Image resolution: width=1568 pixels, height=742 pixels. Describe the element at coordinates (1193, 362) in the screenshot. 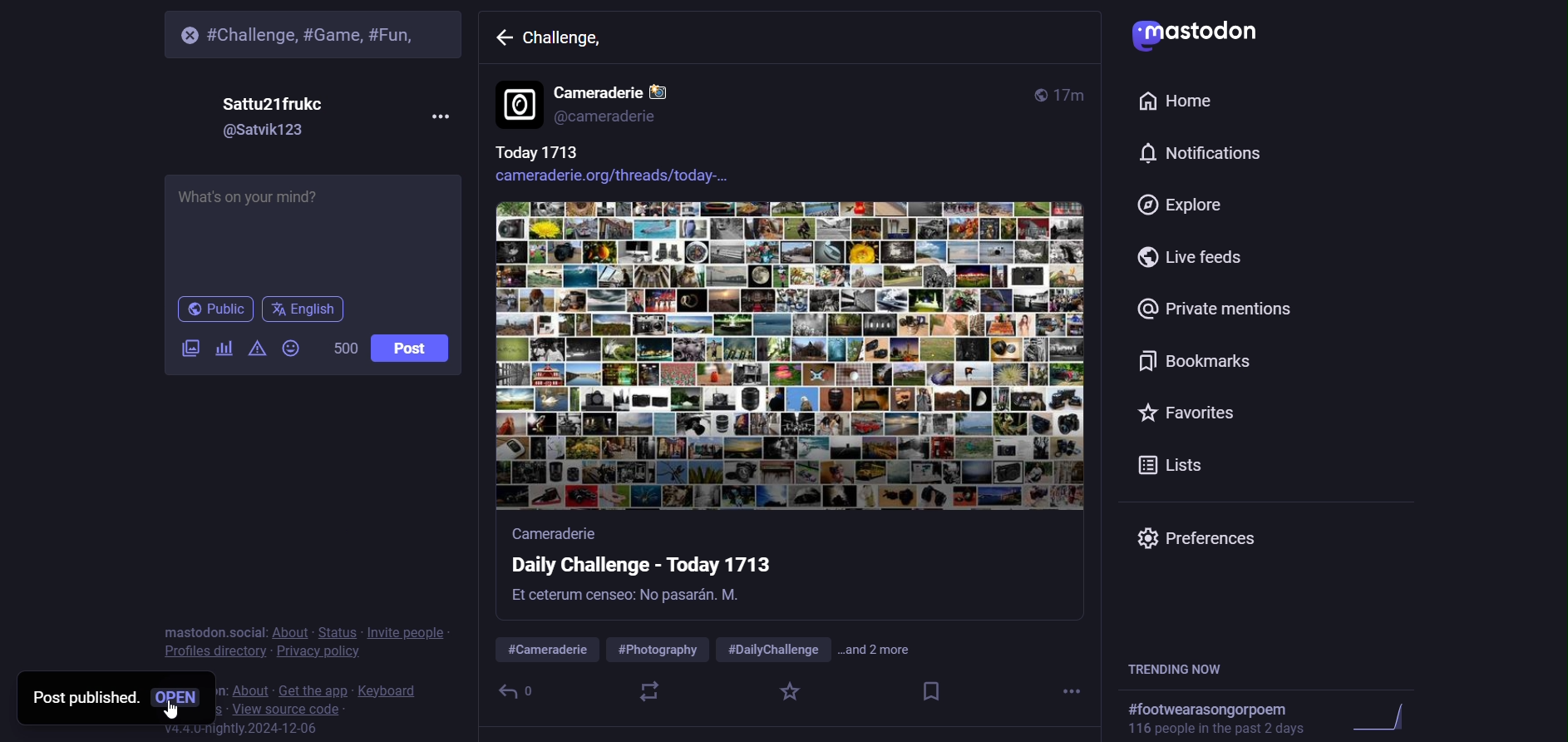

I see `bookmark` at that location.